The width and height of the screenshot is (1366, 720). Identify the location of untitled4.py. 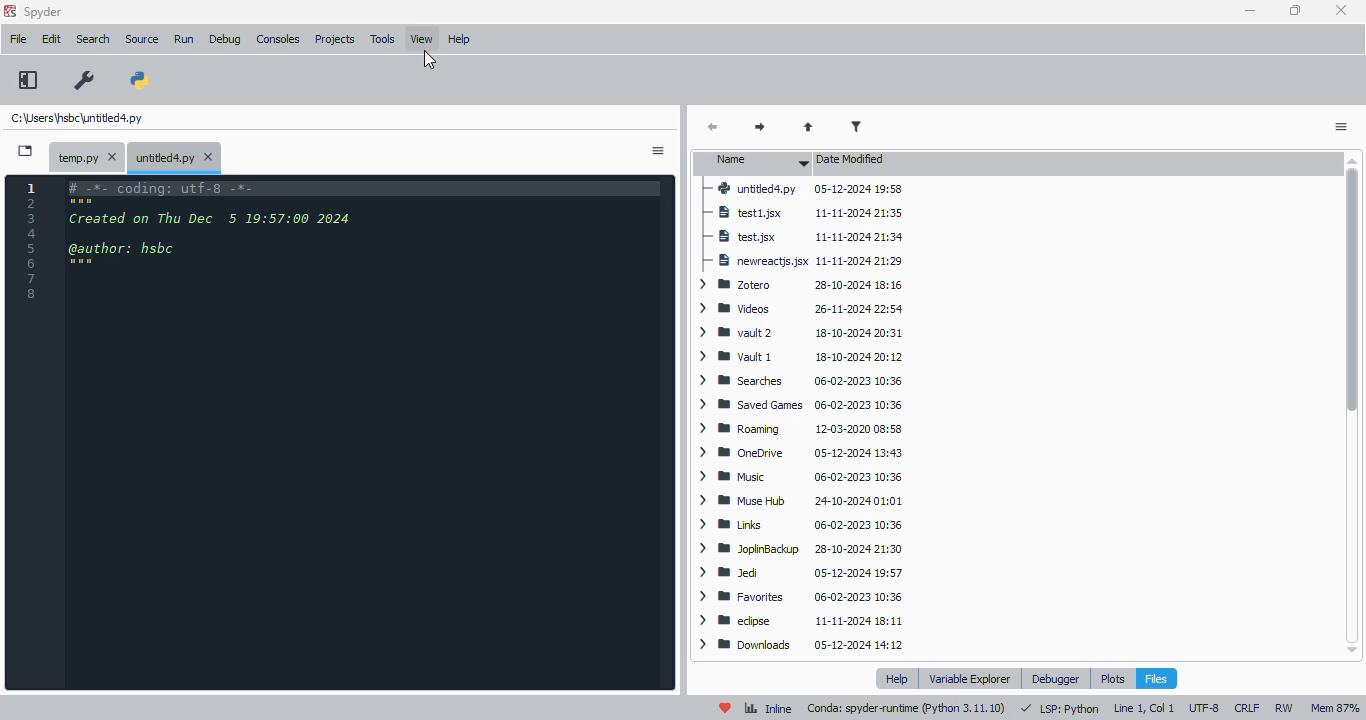
(802, 187).